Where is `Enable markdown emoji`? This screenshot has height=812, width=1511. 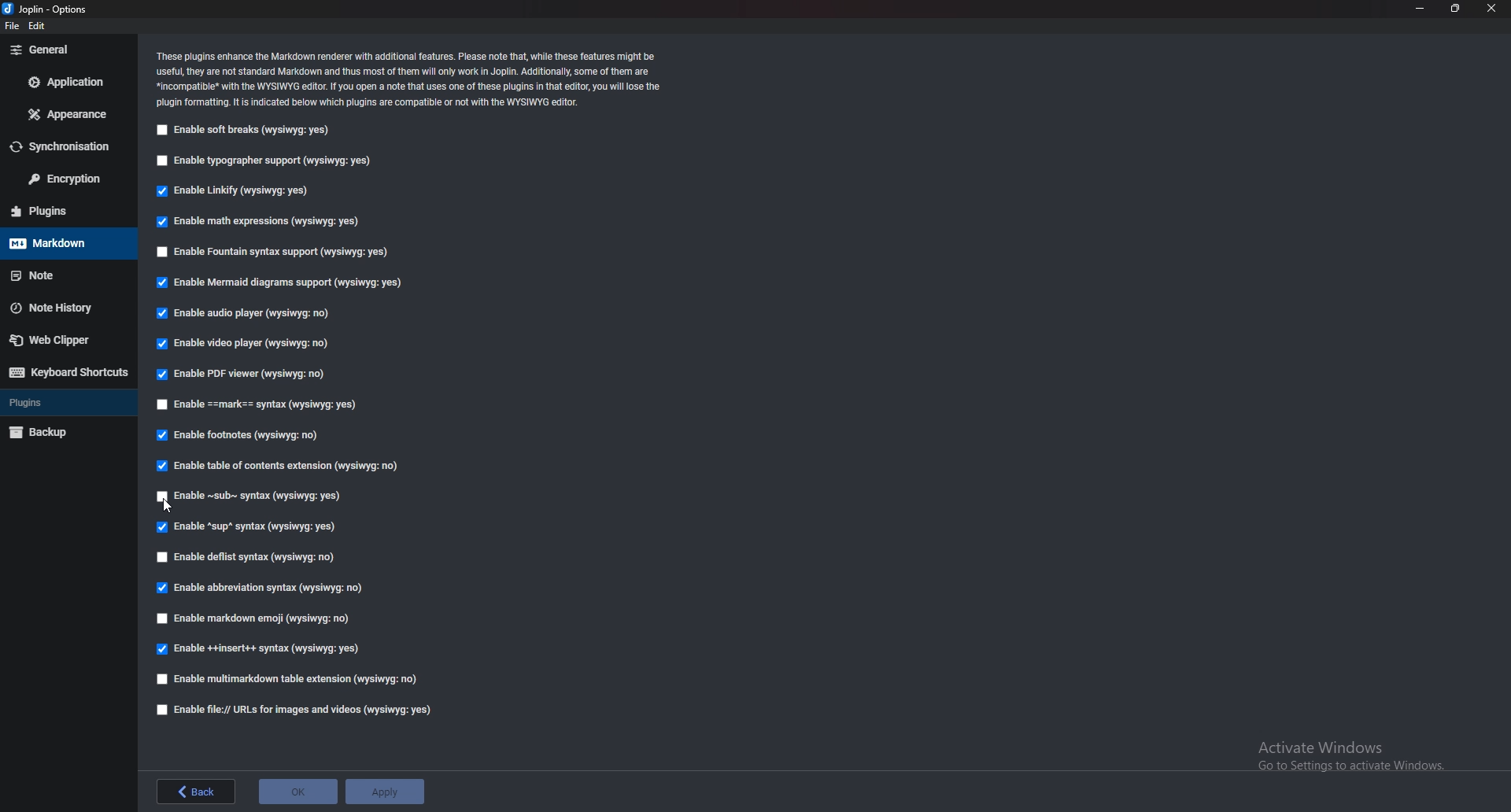 Enable markdown emoji is located at coordinates (257, 620).